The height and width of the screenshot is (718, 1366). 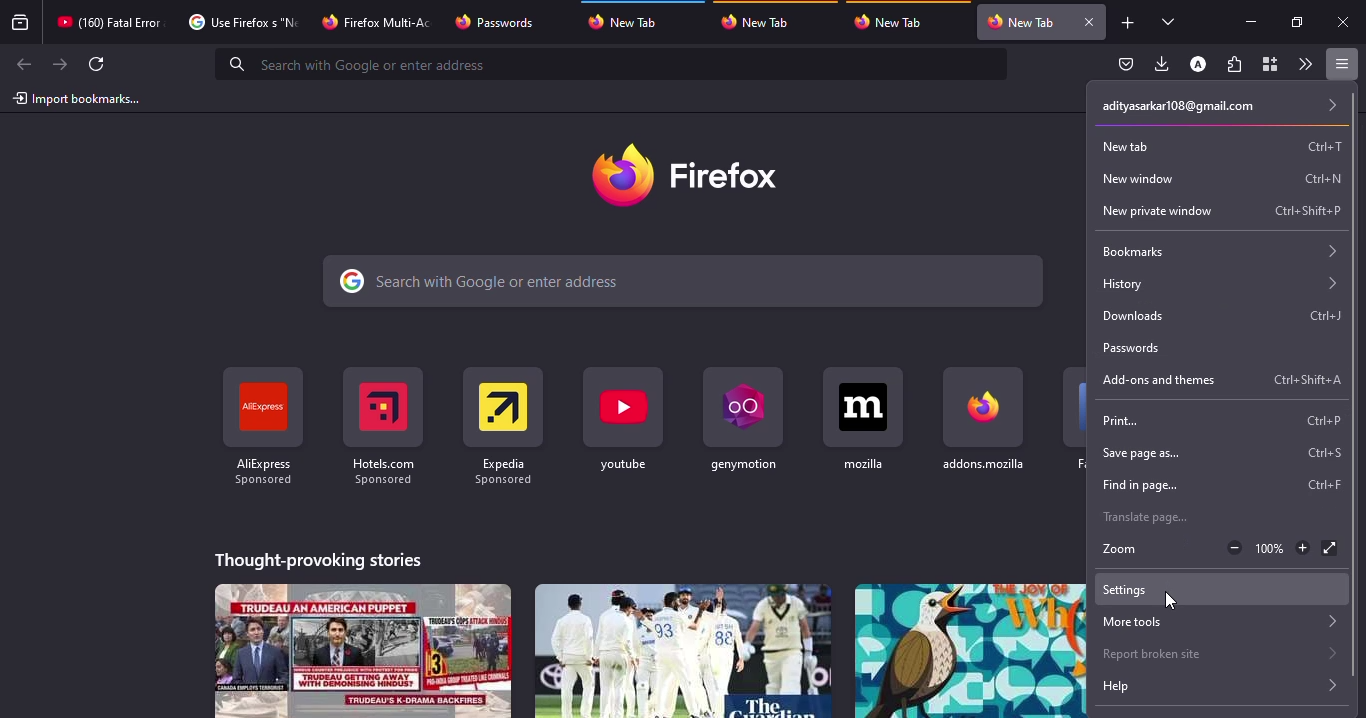 I want to click on stories, so click(x=364, y=650).